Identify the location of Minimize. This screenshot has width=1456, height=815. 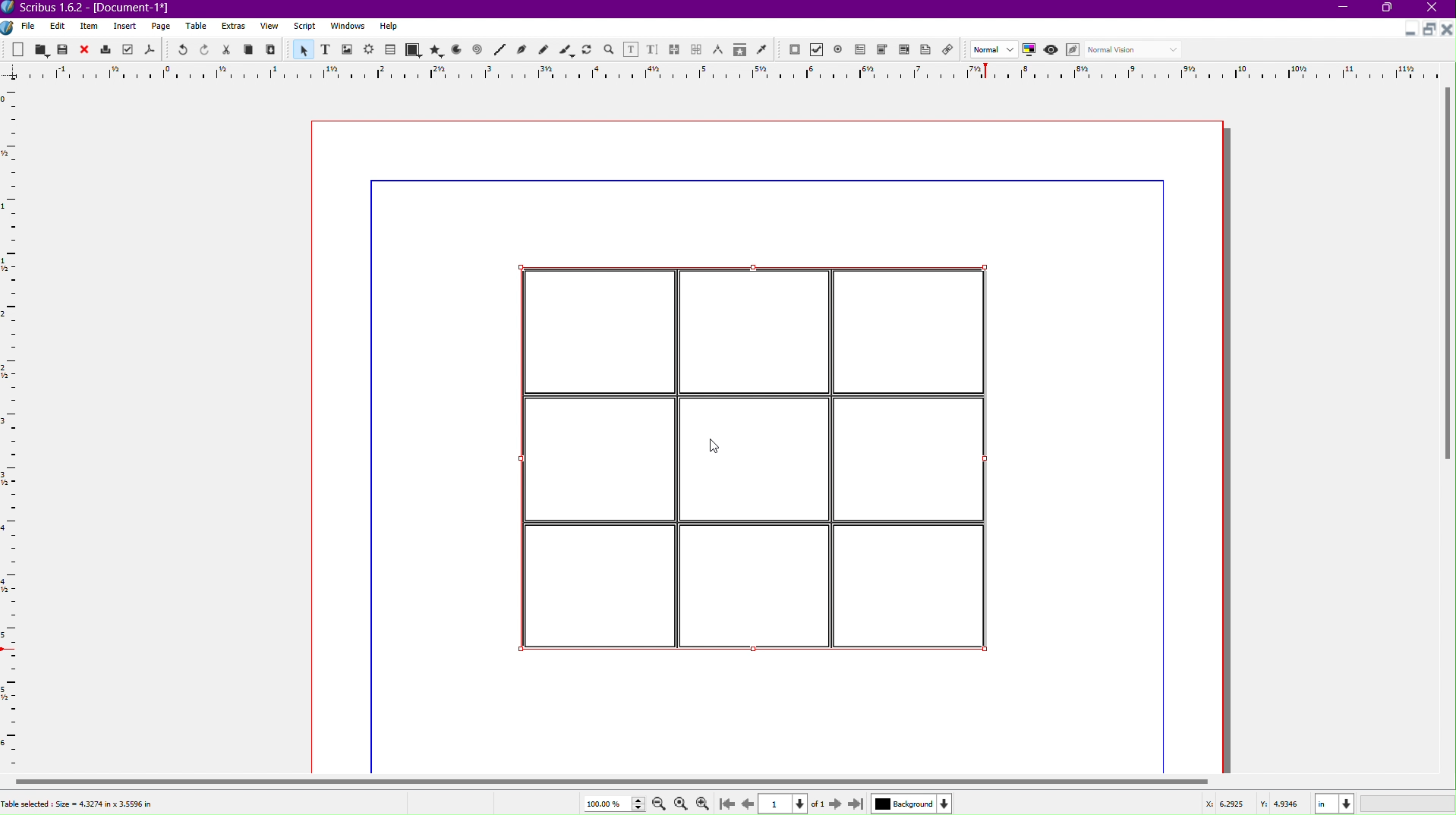
(1344, 9).